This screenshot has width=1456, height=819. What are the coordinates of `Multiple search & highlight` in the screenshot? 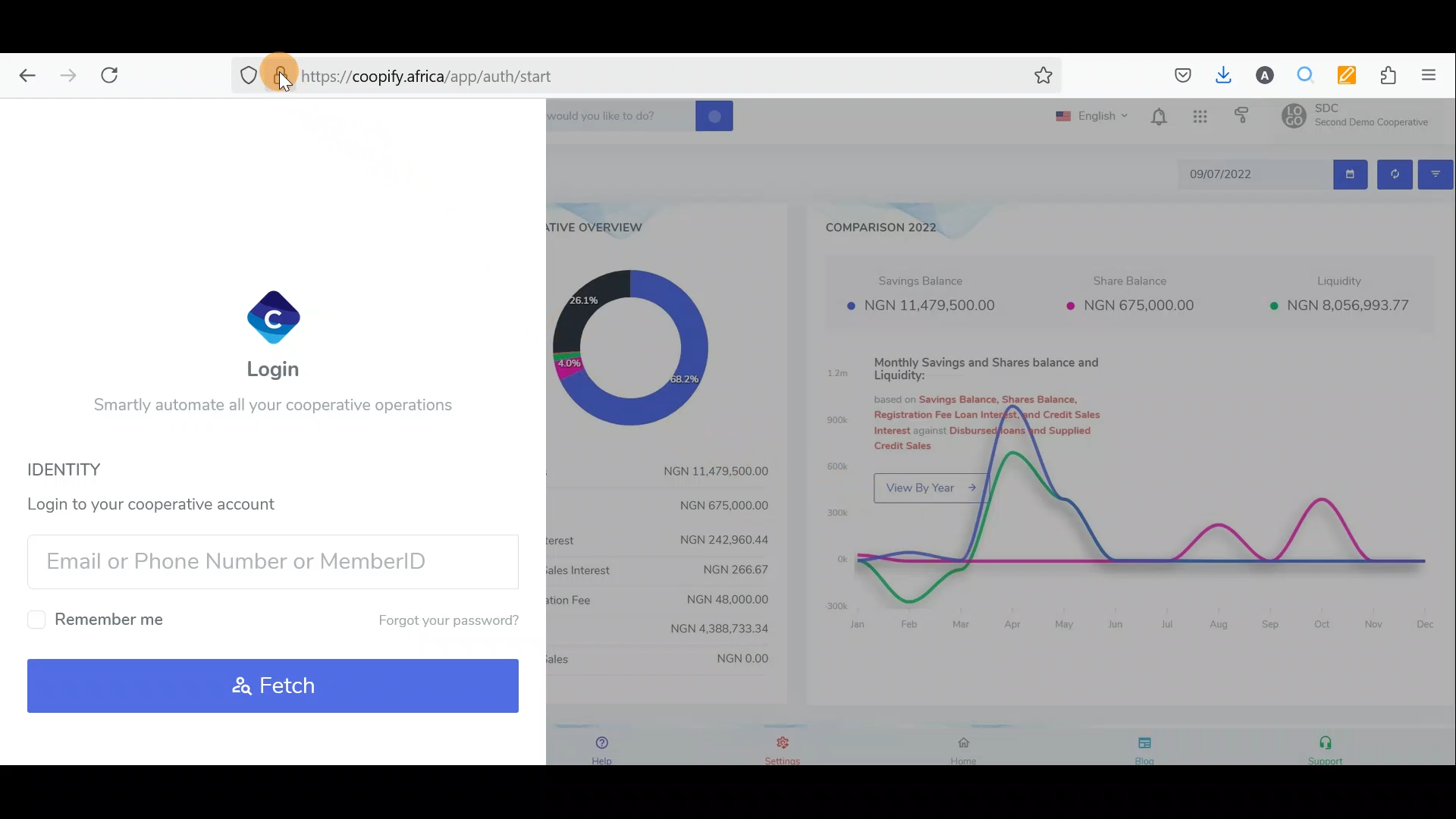 It's located at (1300, 76).